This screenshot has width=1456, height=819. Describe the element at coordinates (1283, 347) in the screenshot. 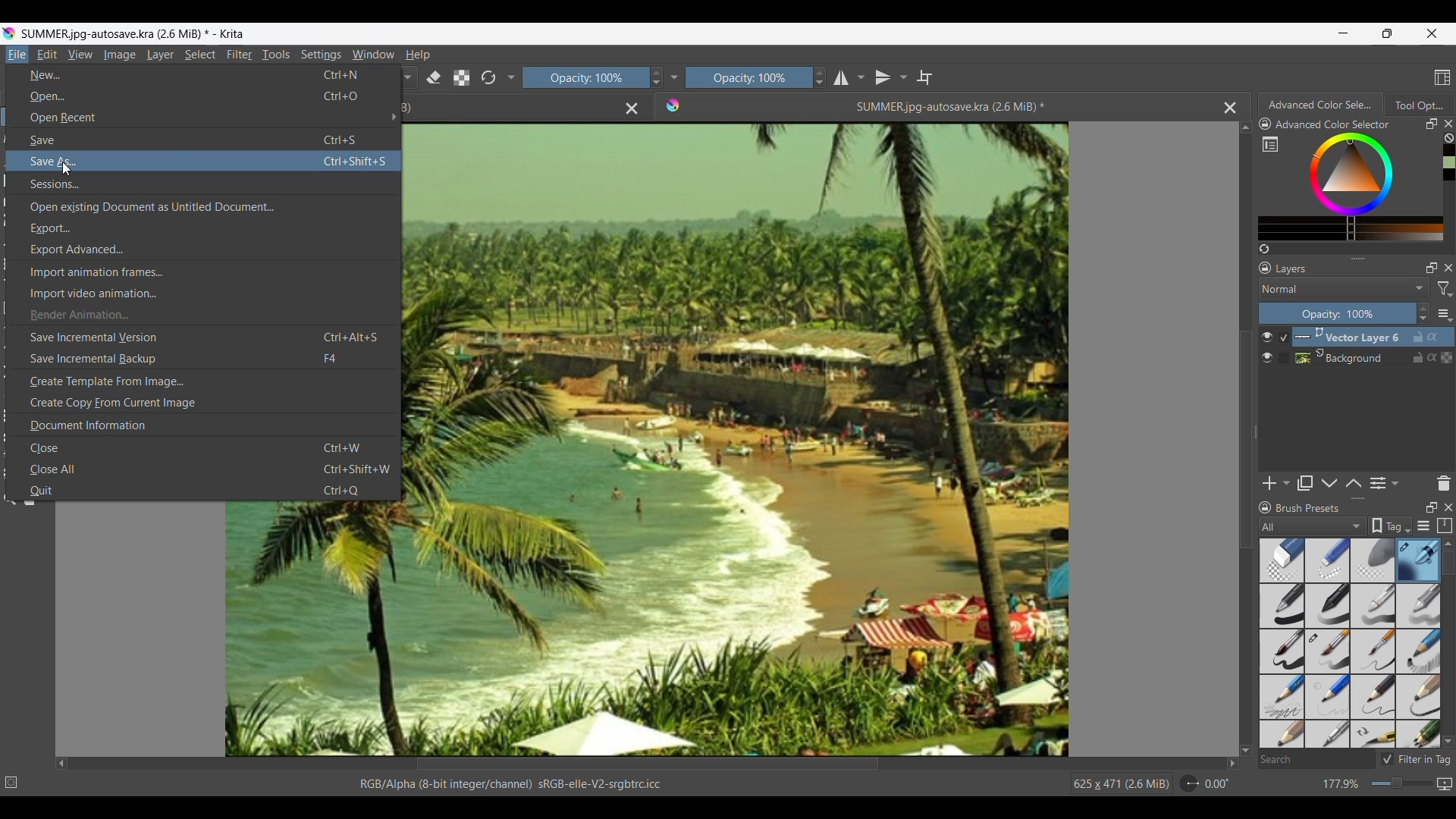

I see `Indicates current selection` at that location.